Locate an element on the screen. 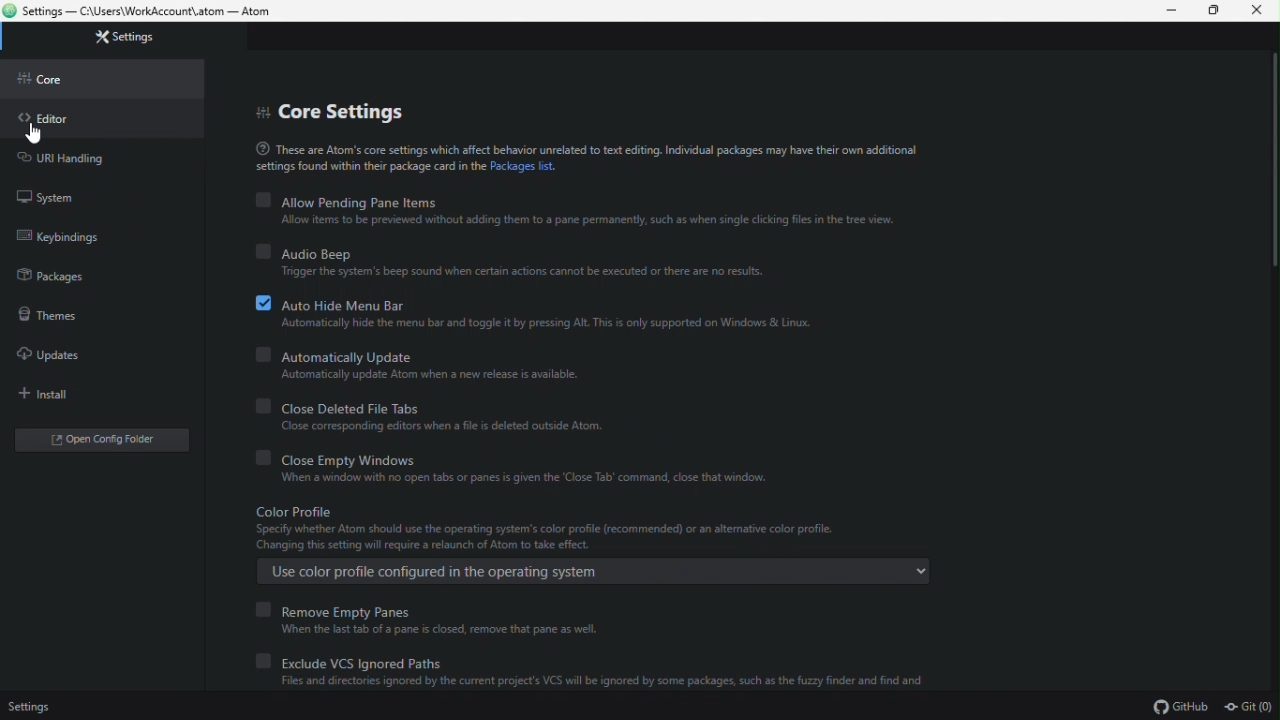 This screenshot has height=720, width=1280. Close is located at coordinates (1258, 11).